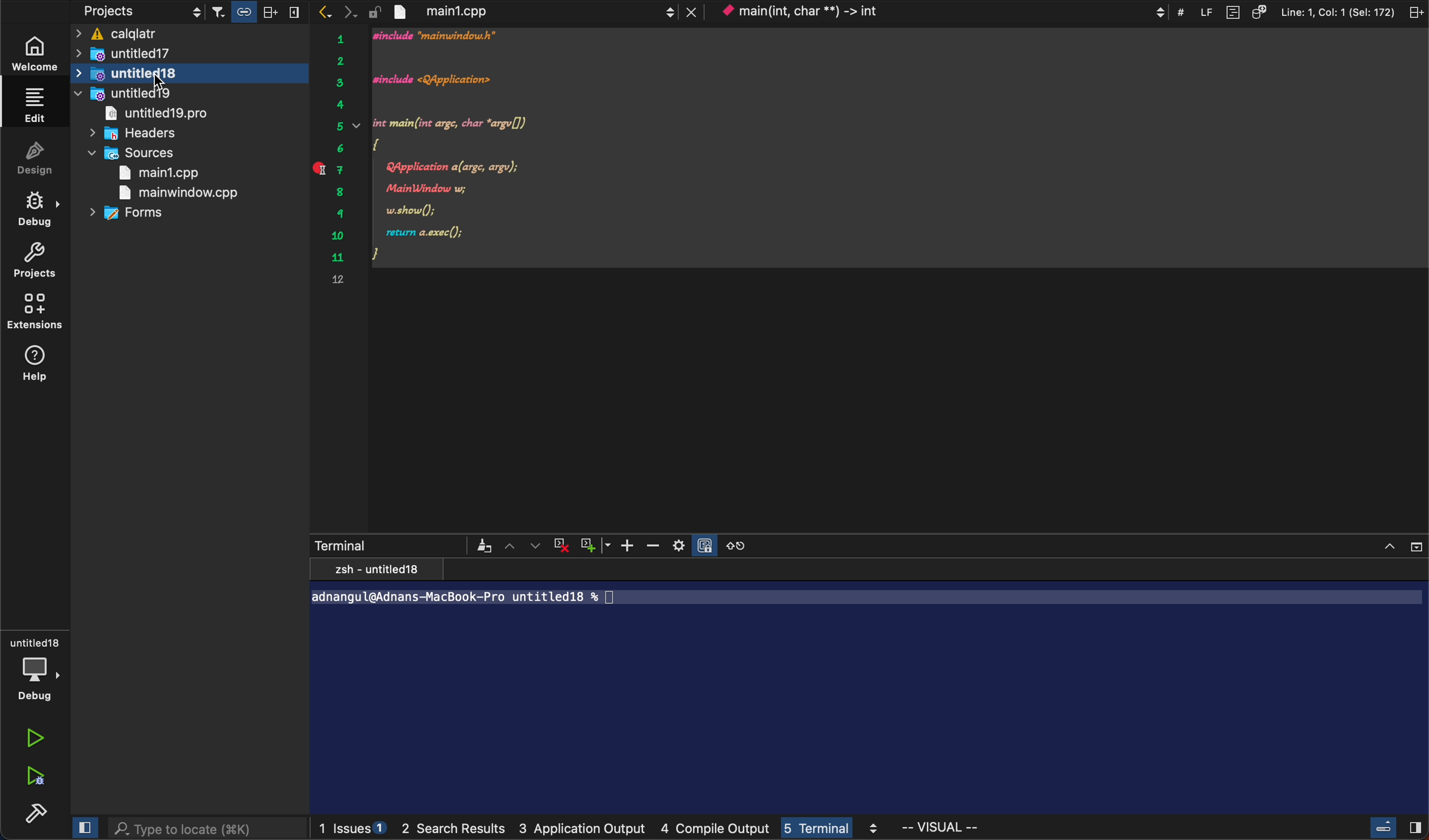 This screenshot has height=840, width=1429. Describe the element at coordinates (1394, 829) in the screenshot. I see `close slidebar` at that location.